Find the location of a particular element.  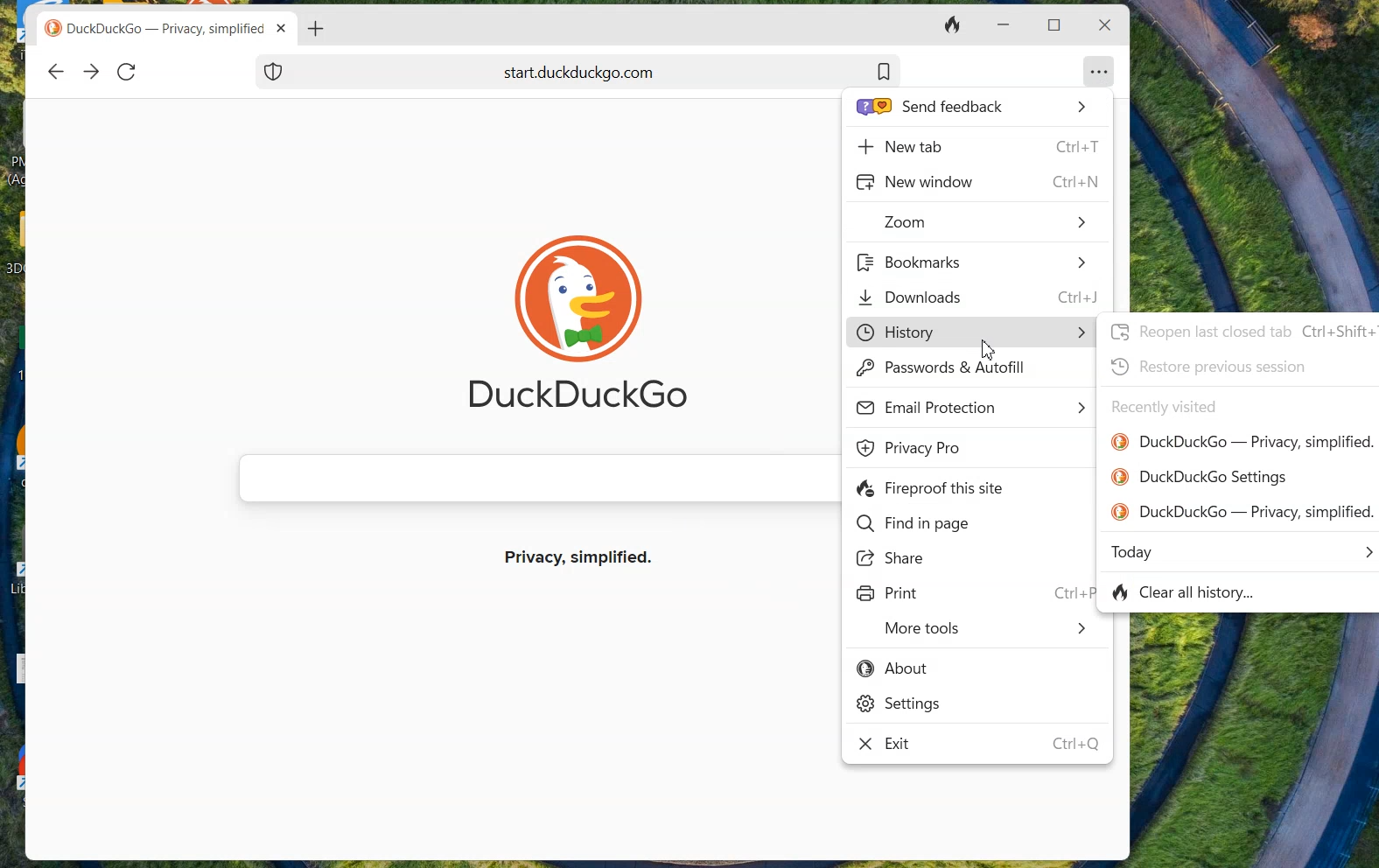

About is located at coordinates (896, 669).